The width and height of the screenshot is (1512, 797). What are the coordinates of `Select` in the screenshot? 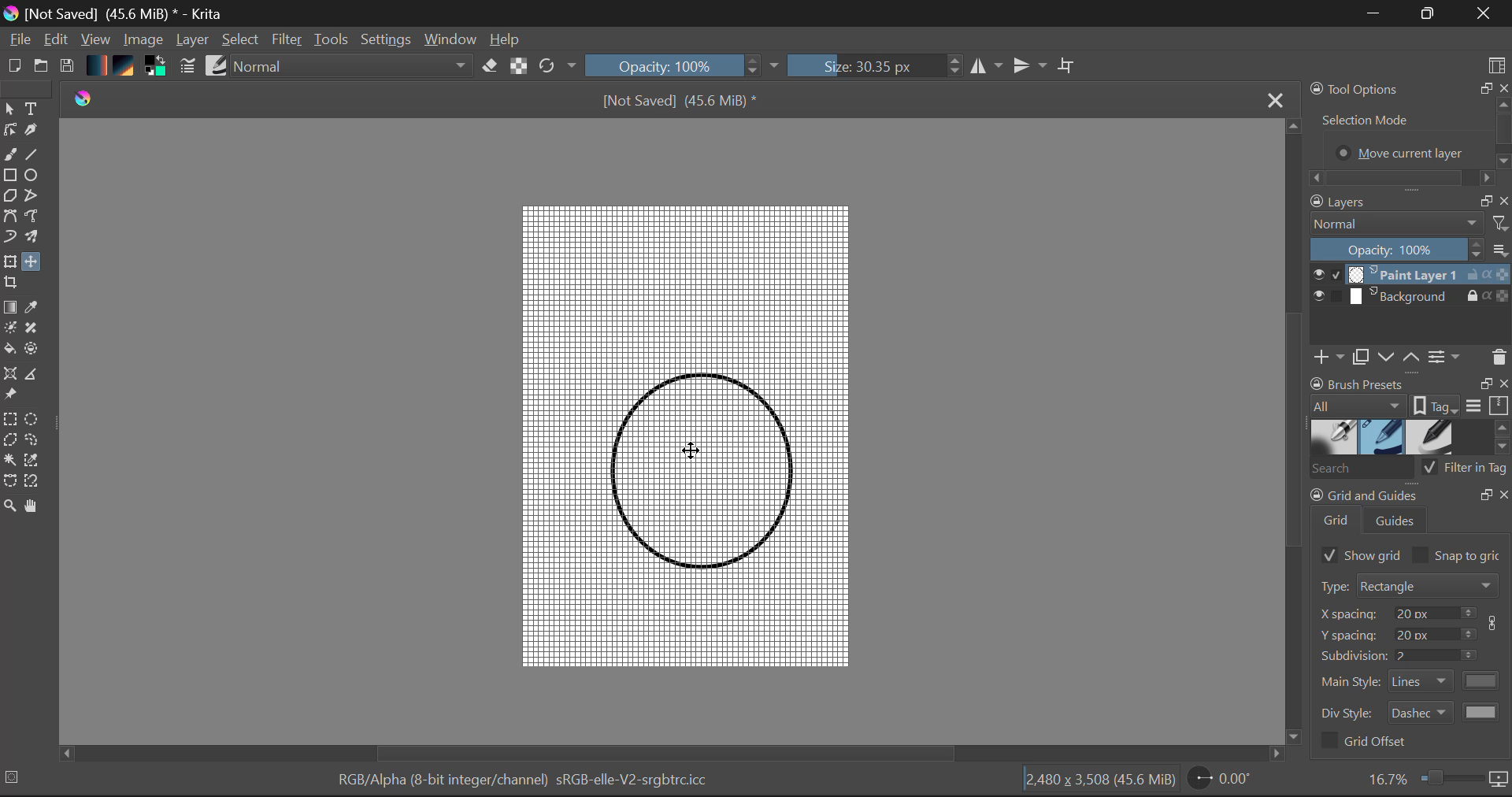 It's located at (10, 109).